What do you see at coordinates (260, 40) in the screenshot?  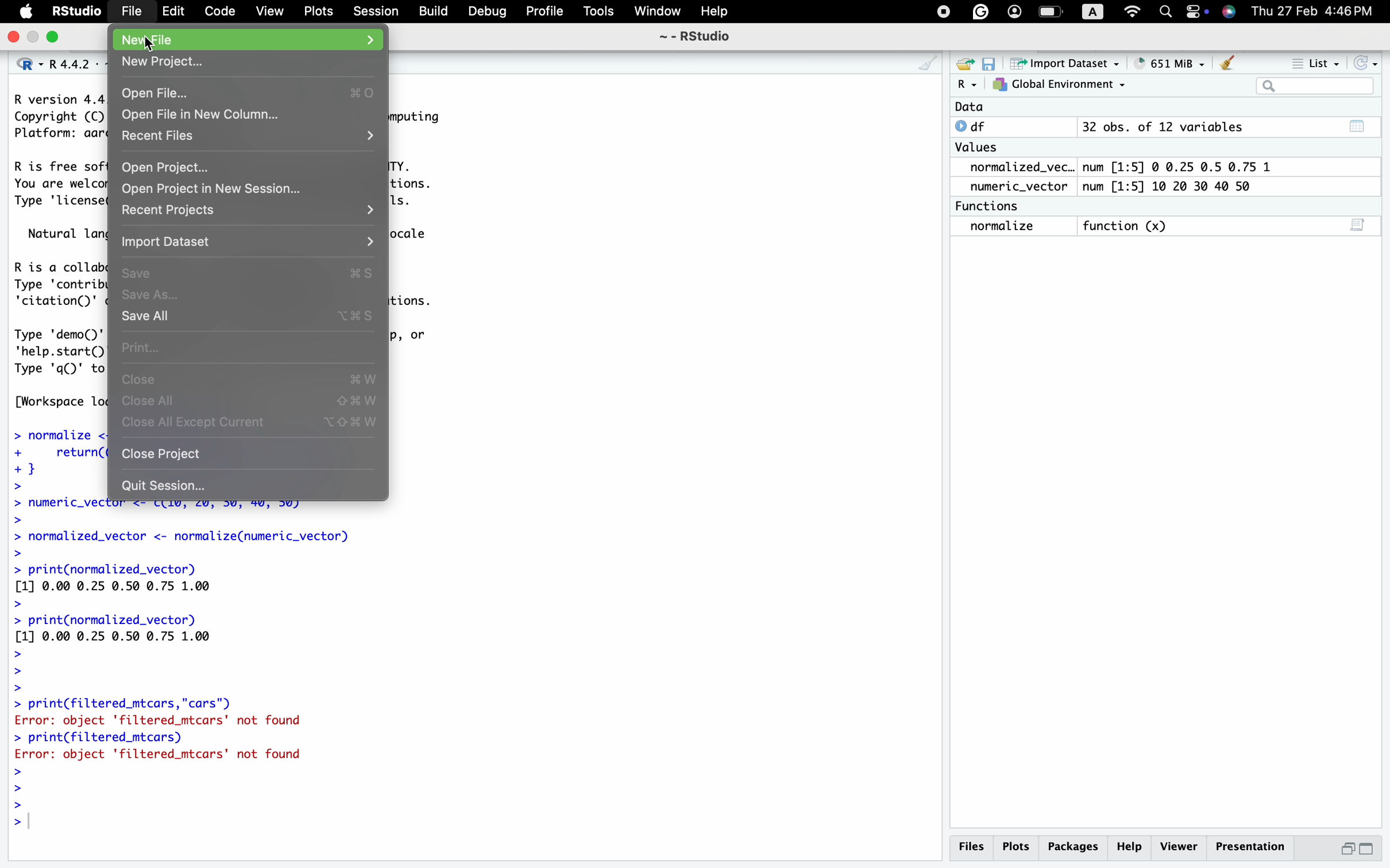 I see `Nev tile ` at bounding box center [260, 40].